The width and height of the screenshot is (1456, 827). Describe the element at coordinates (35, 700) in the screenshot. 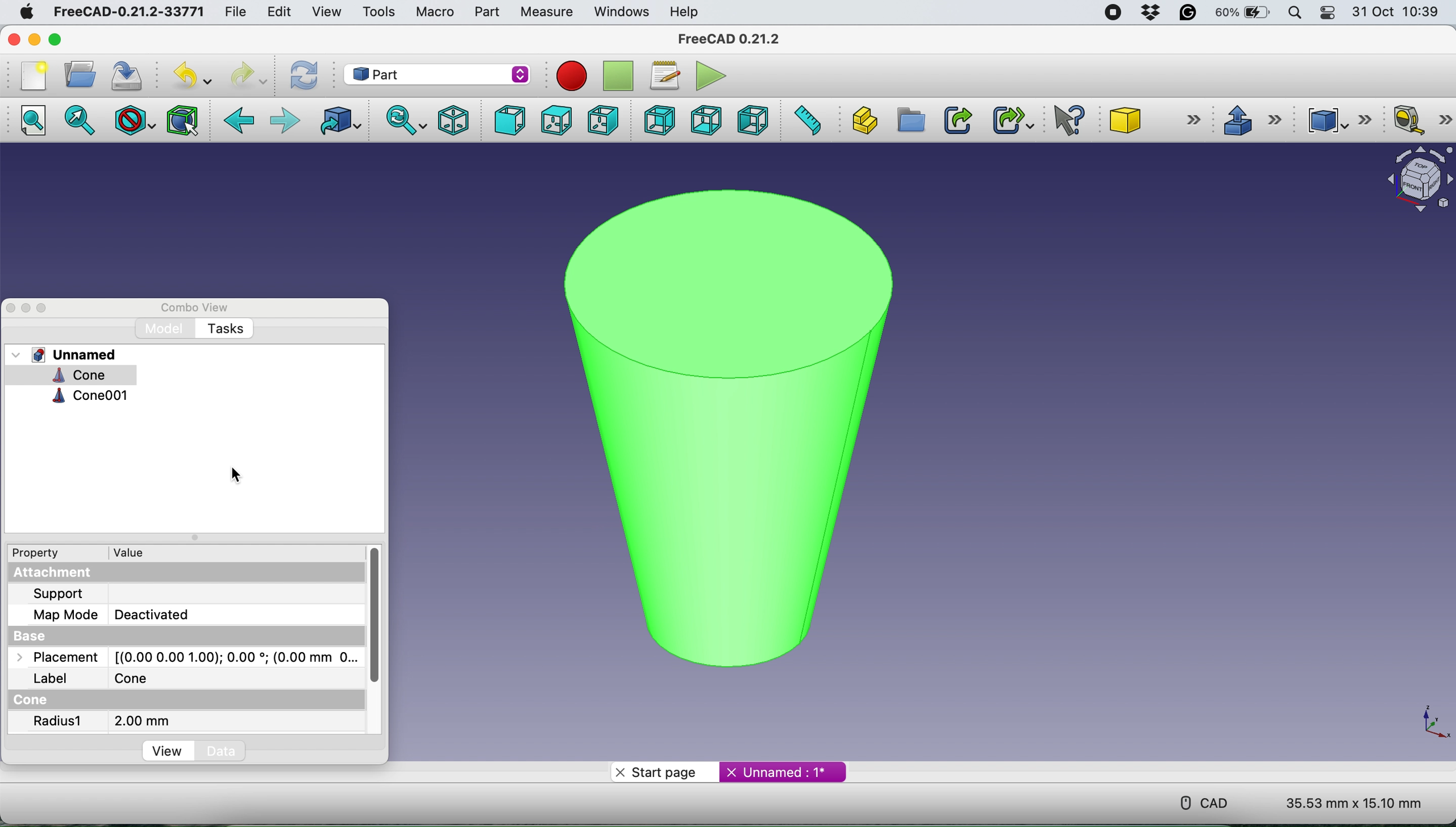

I see `cone` at that location.